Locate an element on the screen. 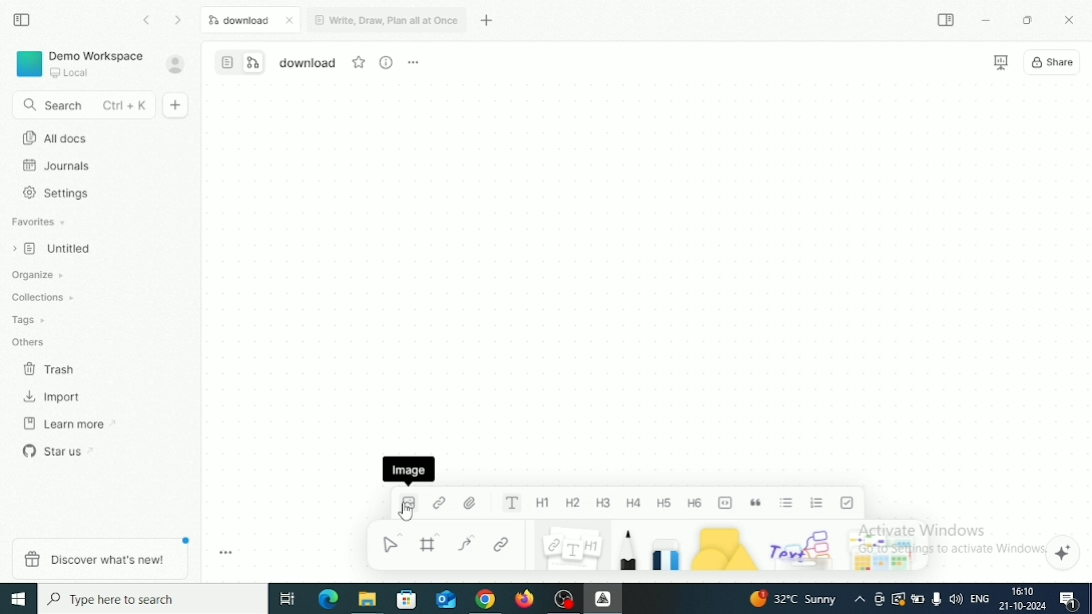  Favorites is located at coordinates (40, 222).